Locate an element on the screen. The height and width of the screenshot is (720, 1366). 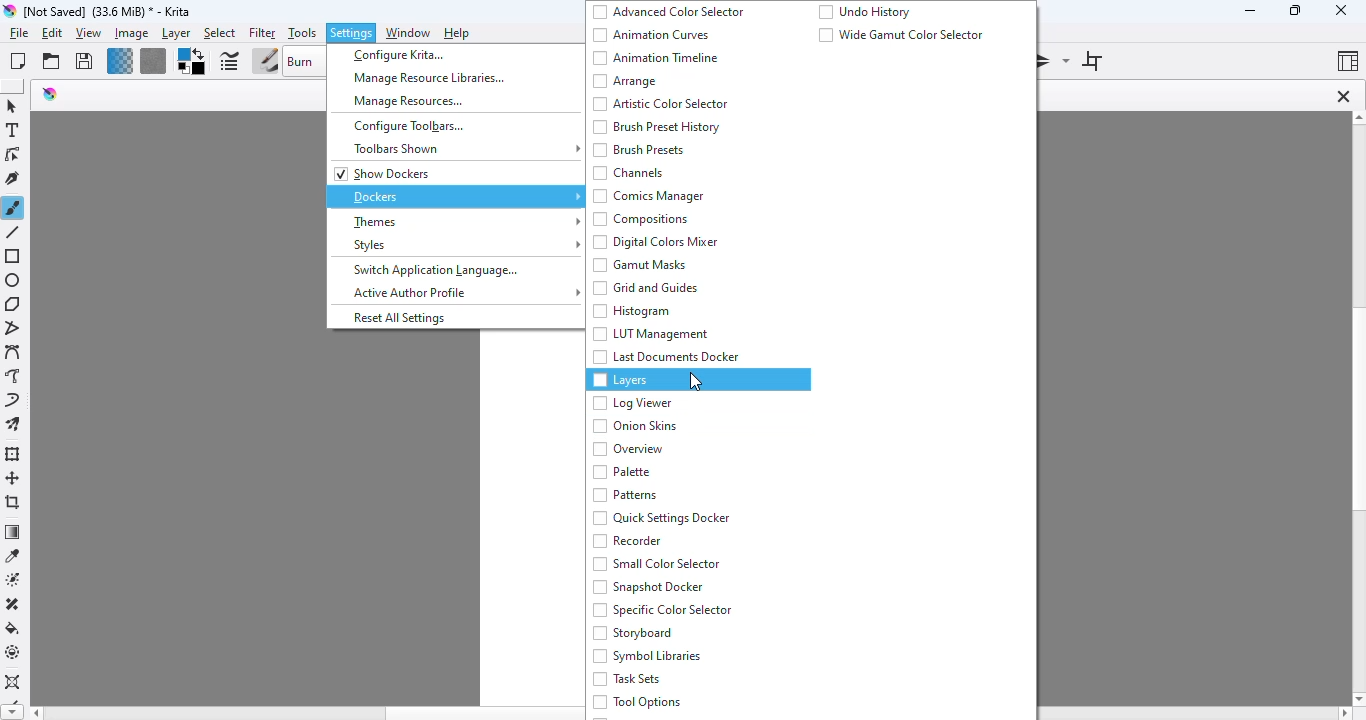
vertical scroll bar is located at coordinates (1357, 410).